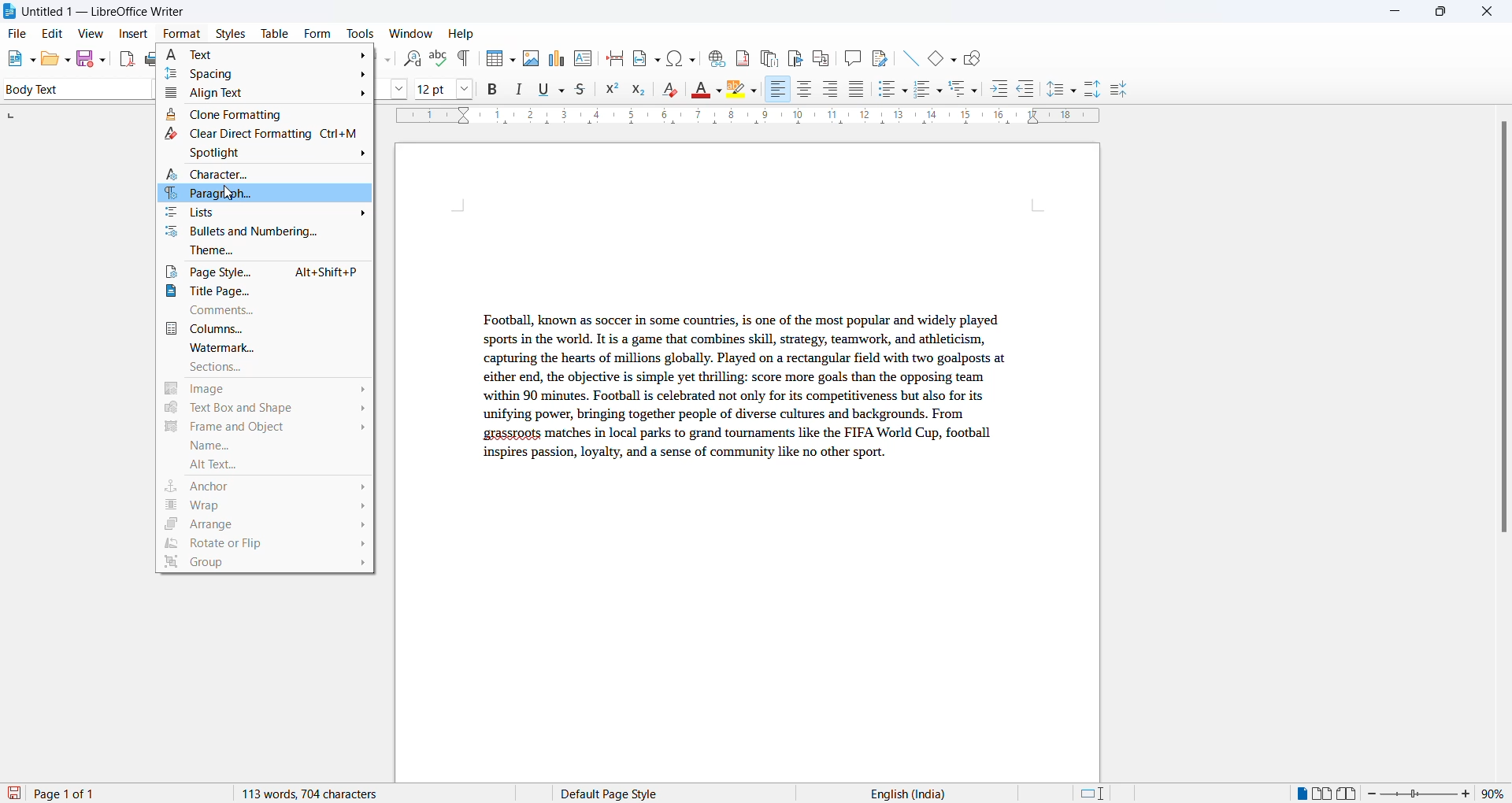 The image size is (1512, 803). I want to click on clear direct formatting, so click(265, 135).